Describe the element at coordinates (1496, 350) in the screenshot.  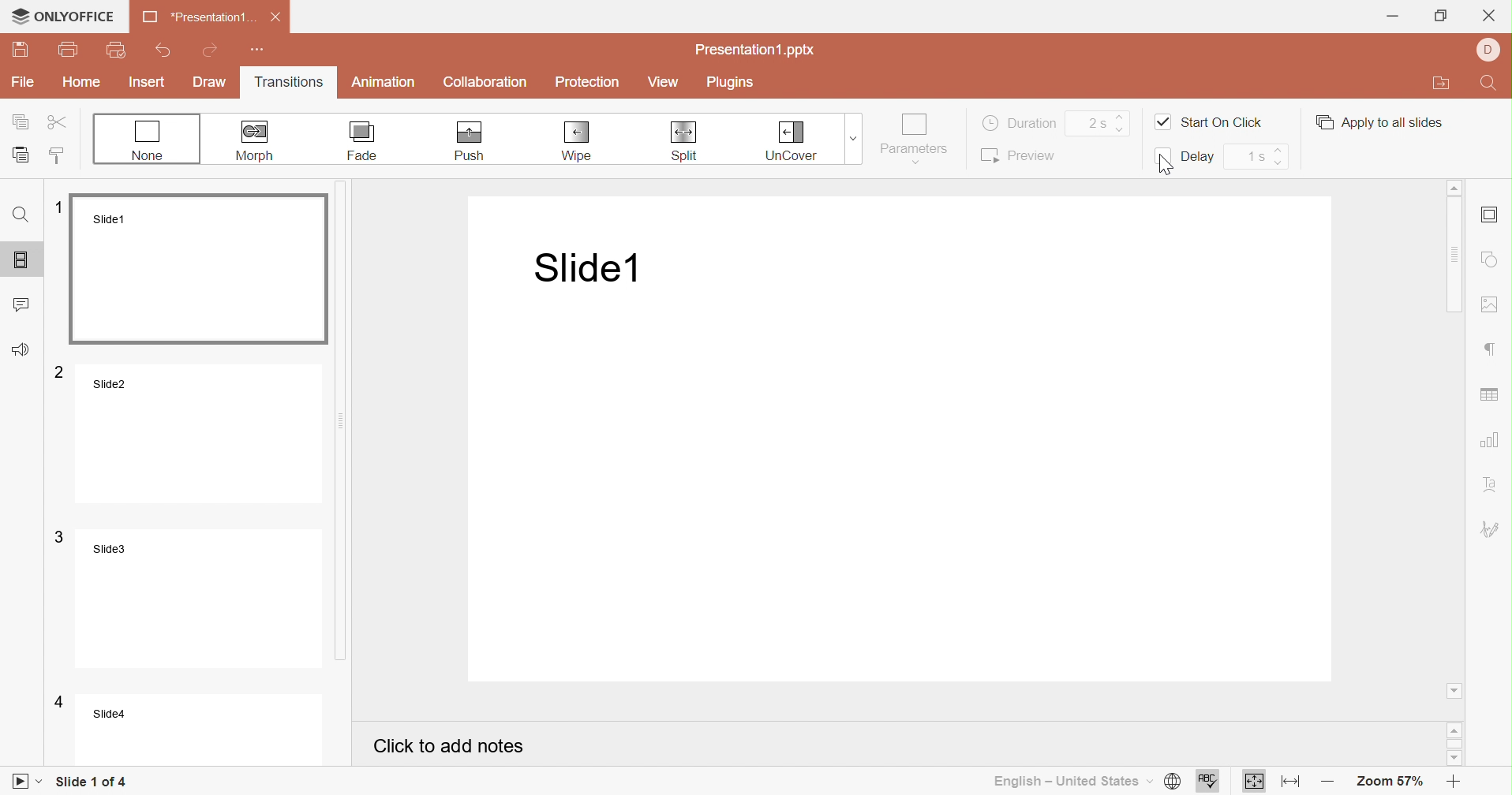
I see `Paragraph settings` at that location.